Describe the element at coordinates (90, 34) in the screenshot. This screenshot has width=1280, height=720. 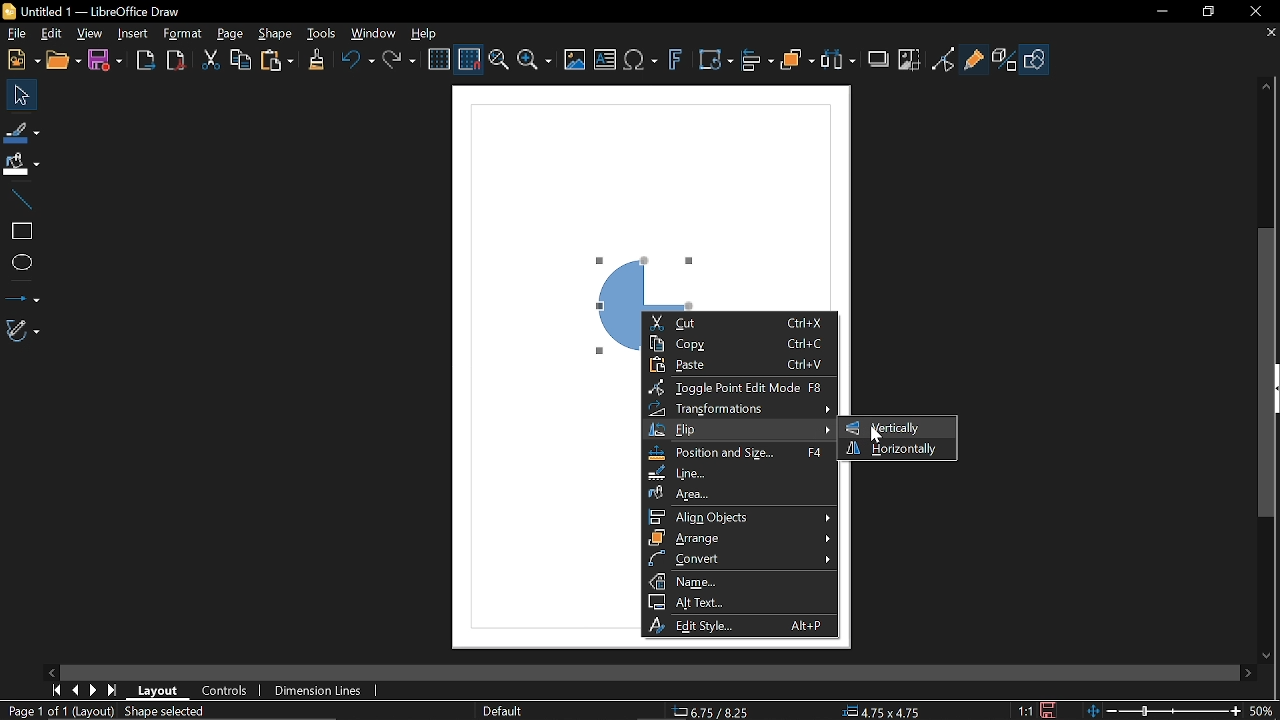
I see `View` at that location.